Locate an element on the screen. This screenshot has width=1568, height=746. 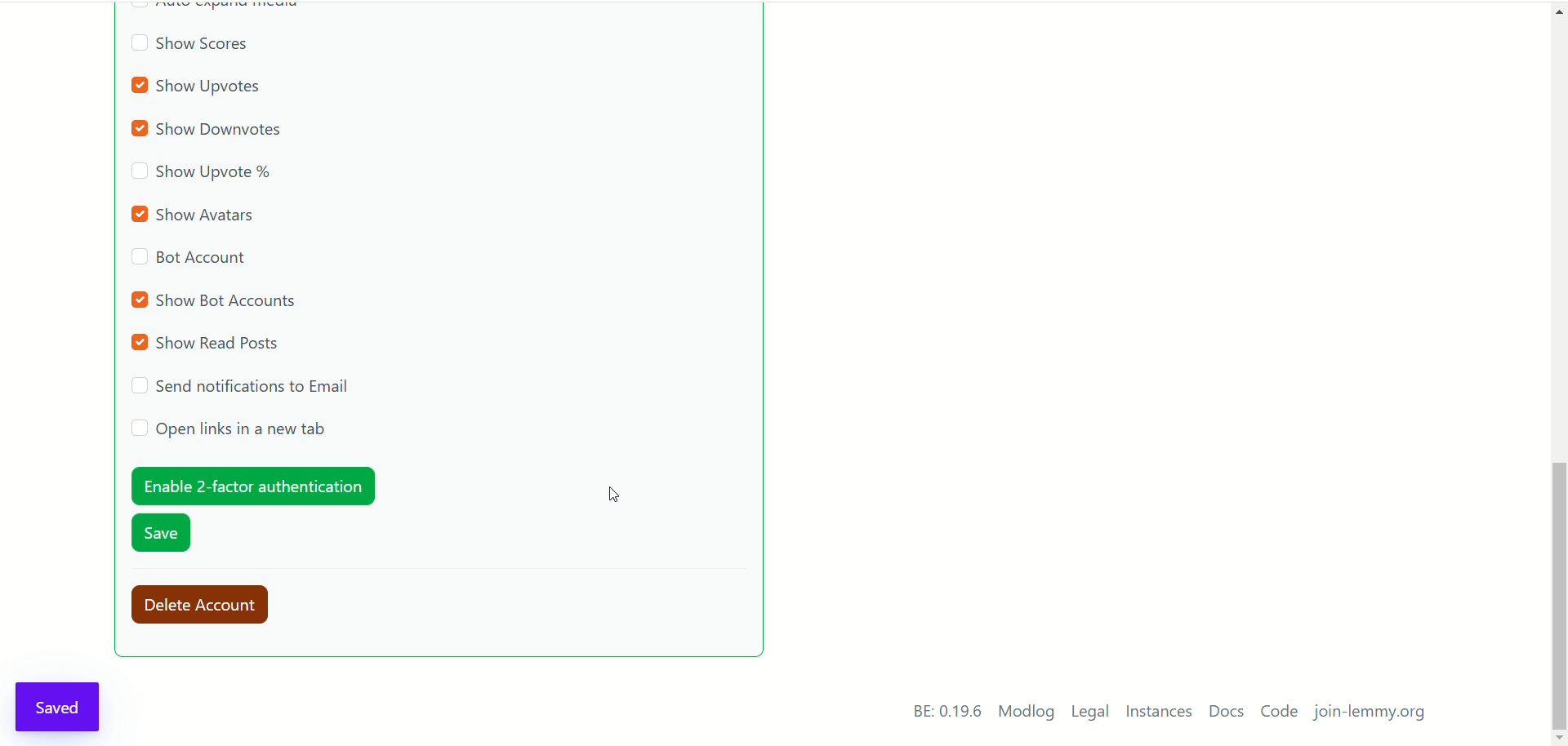
JOIN-LEMMY.ORG is located at coordinates (1375, 715).